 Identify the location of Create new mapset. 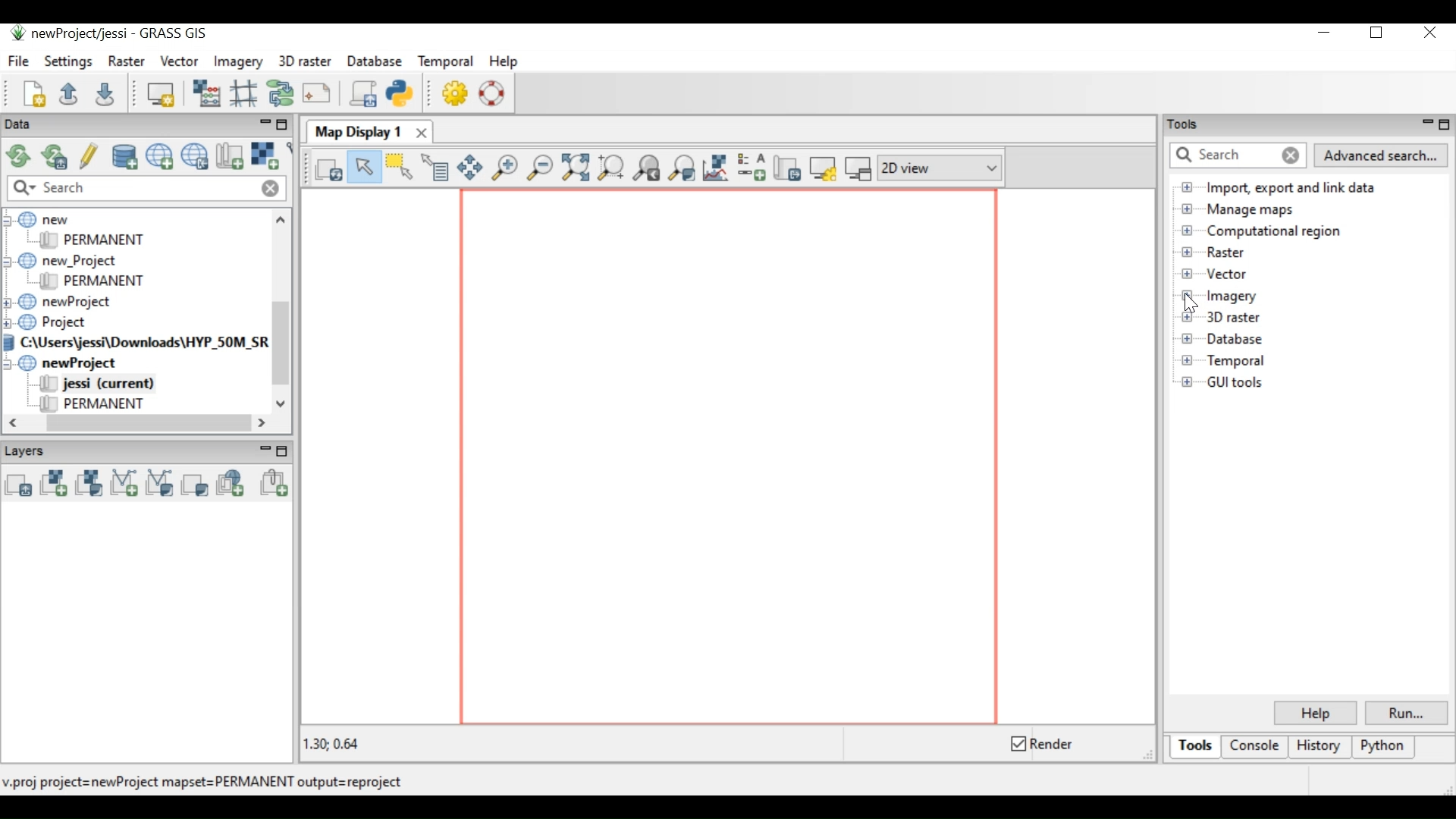
(229, 156).